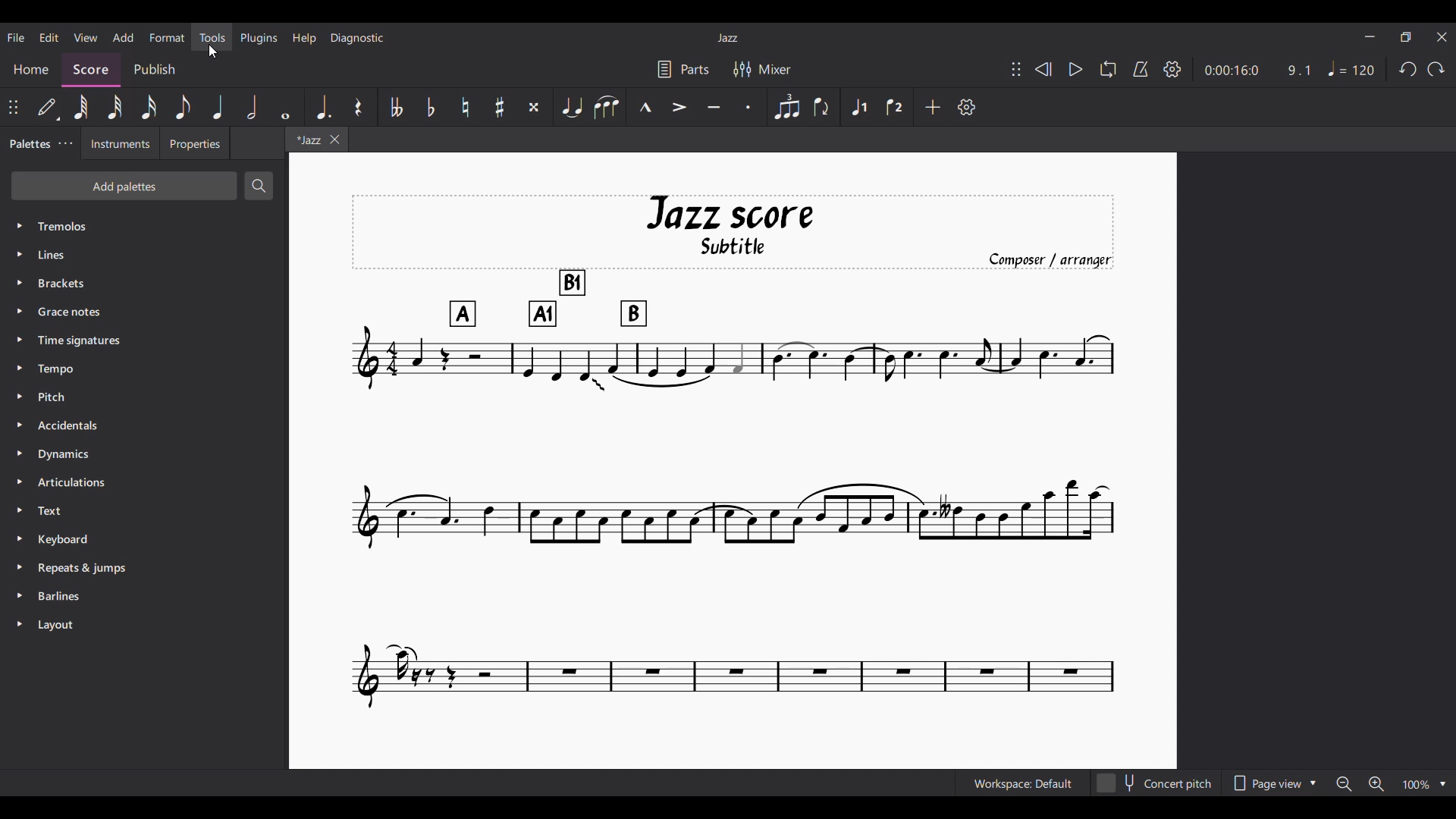  I want to click on Show in smaller tab, so click(1406, 37).